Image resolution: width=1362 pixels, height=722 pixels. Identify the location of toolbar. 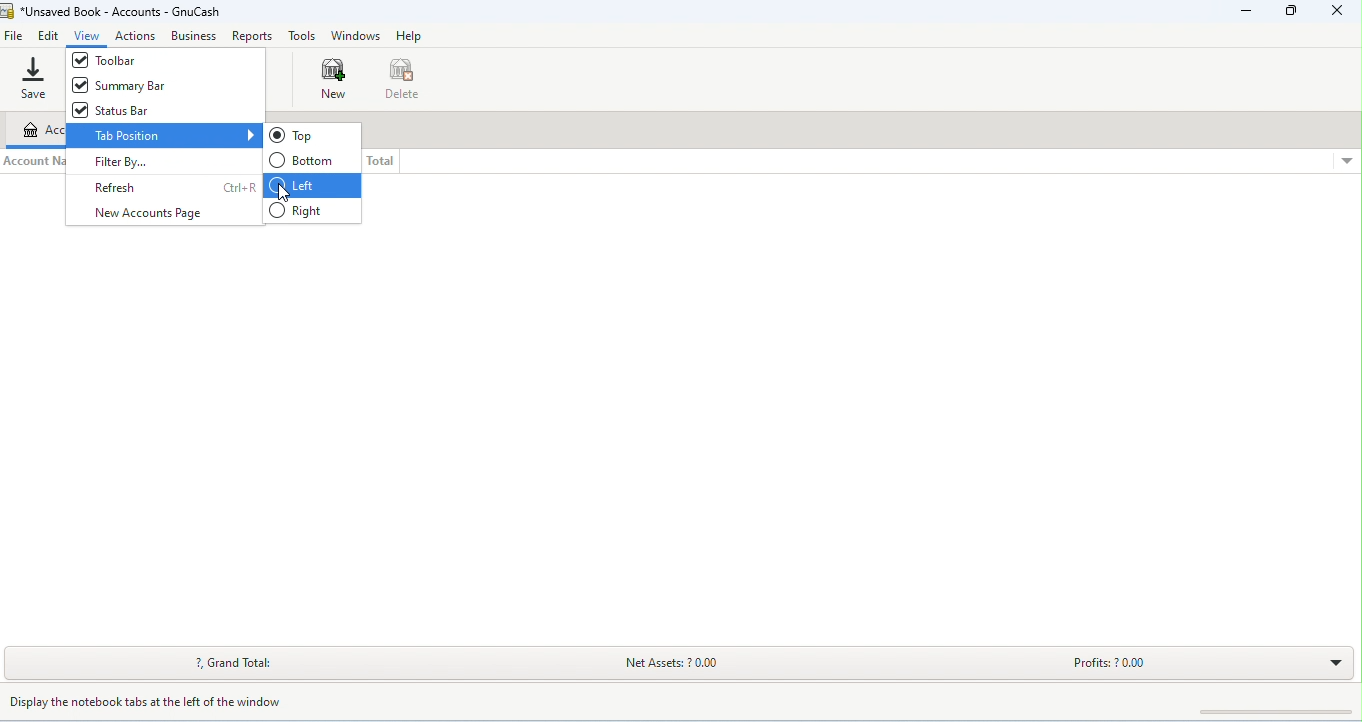
(158, 58).